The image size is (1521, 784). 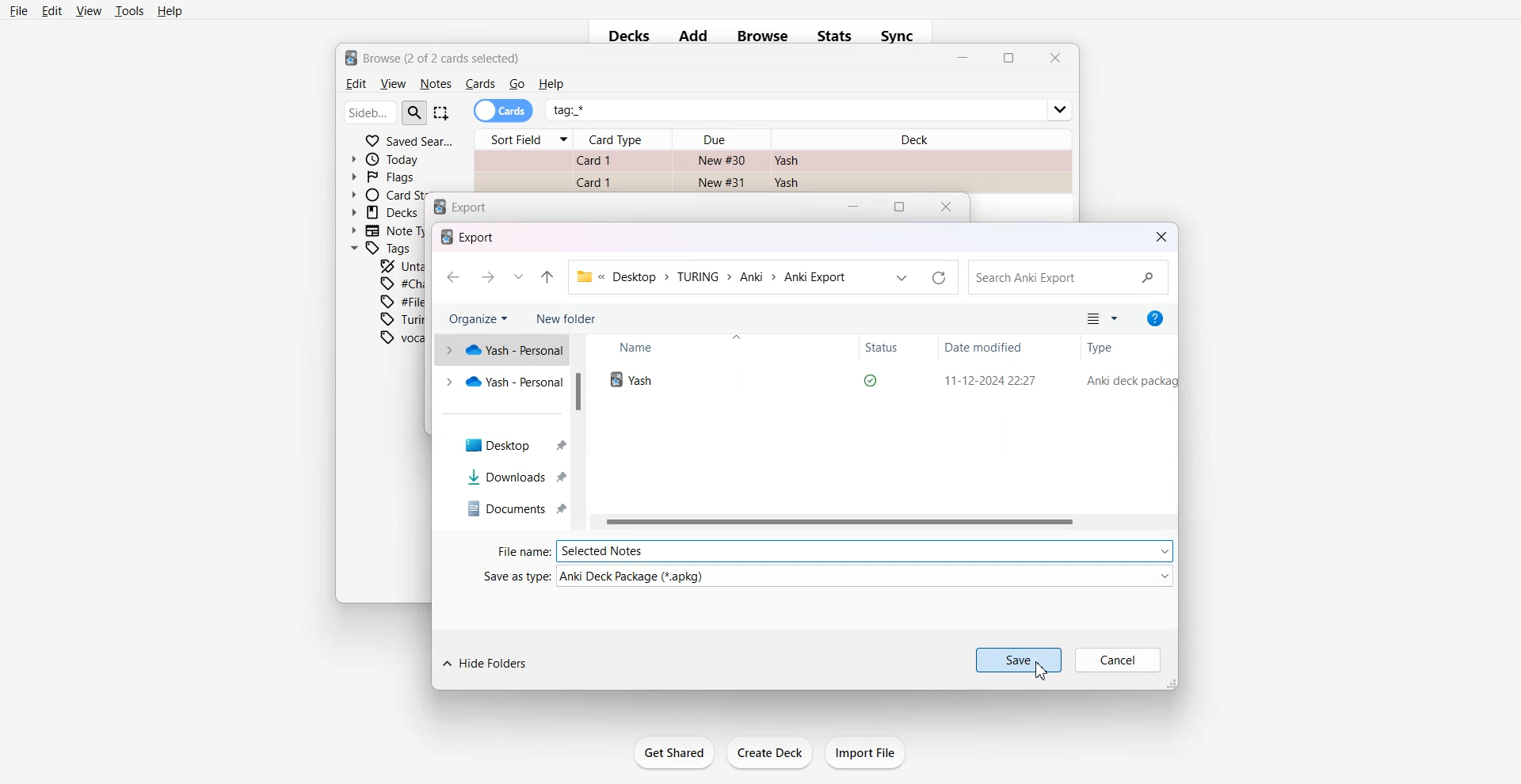 What do you see at coordinates (624, 37) in the screenshot?
I see `Decks` at bounding box center [624, 37].